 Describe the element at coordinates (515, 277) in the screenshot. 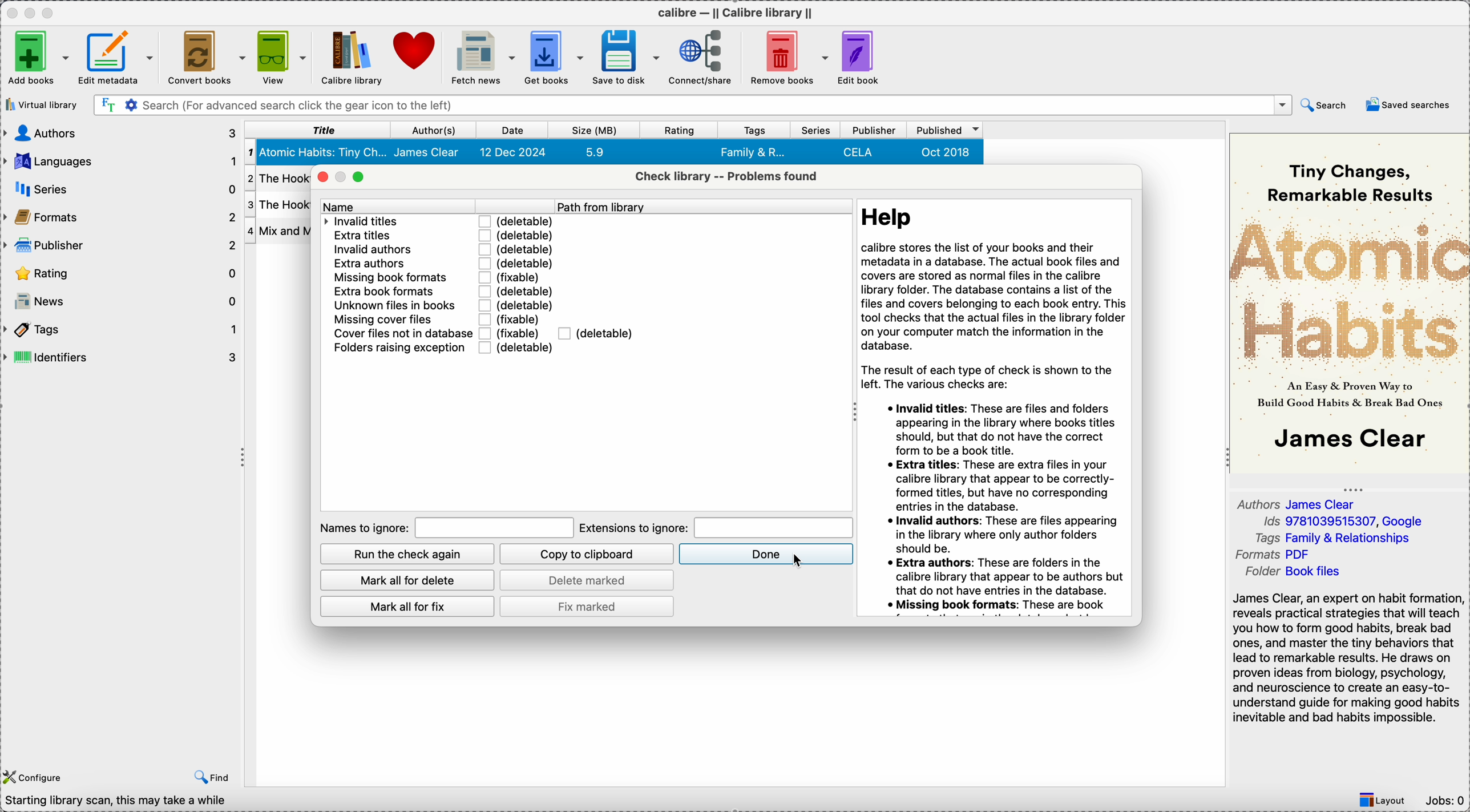

I see `fixable` at that location.